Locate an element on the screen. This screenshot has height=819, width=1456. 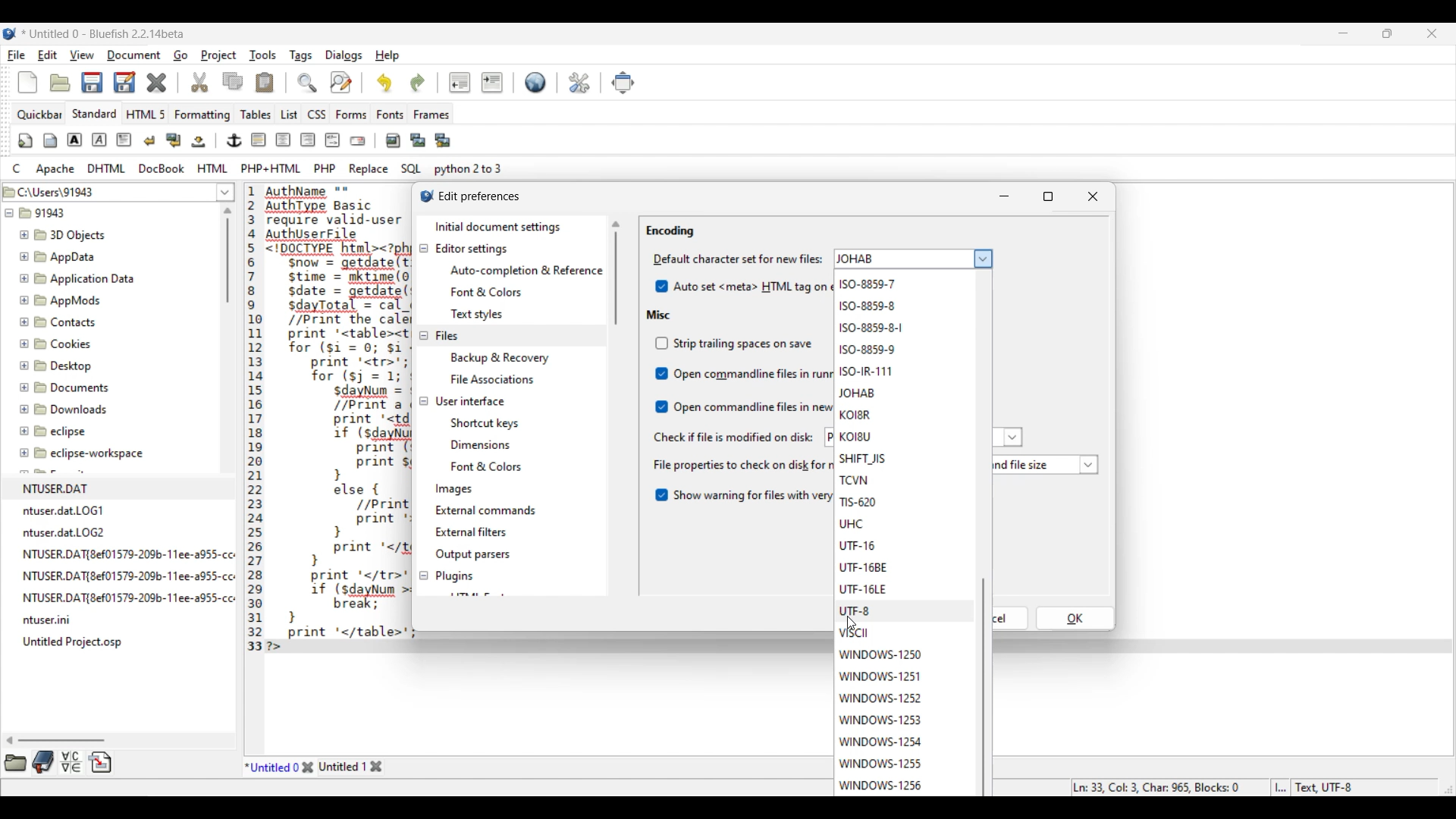
Indentation is located at coordinates (476, 82).